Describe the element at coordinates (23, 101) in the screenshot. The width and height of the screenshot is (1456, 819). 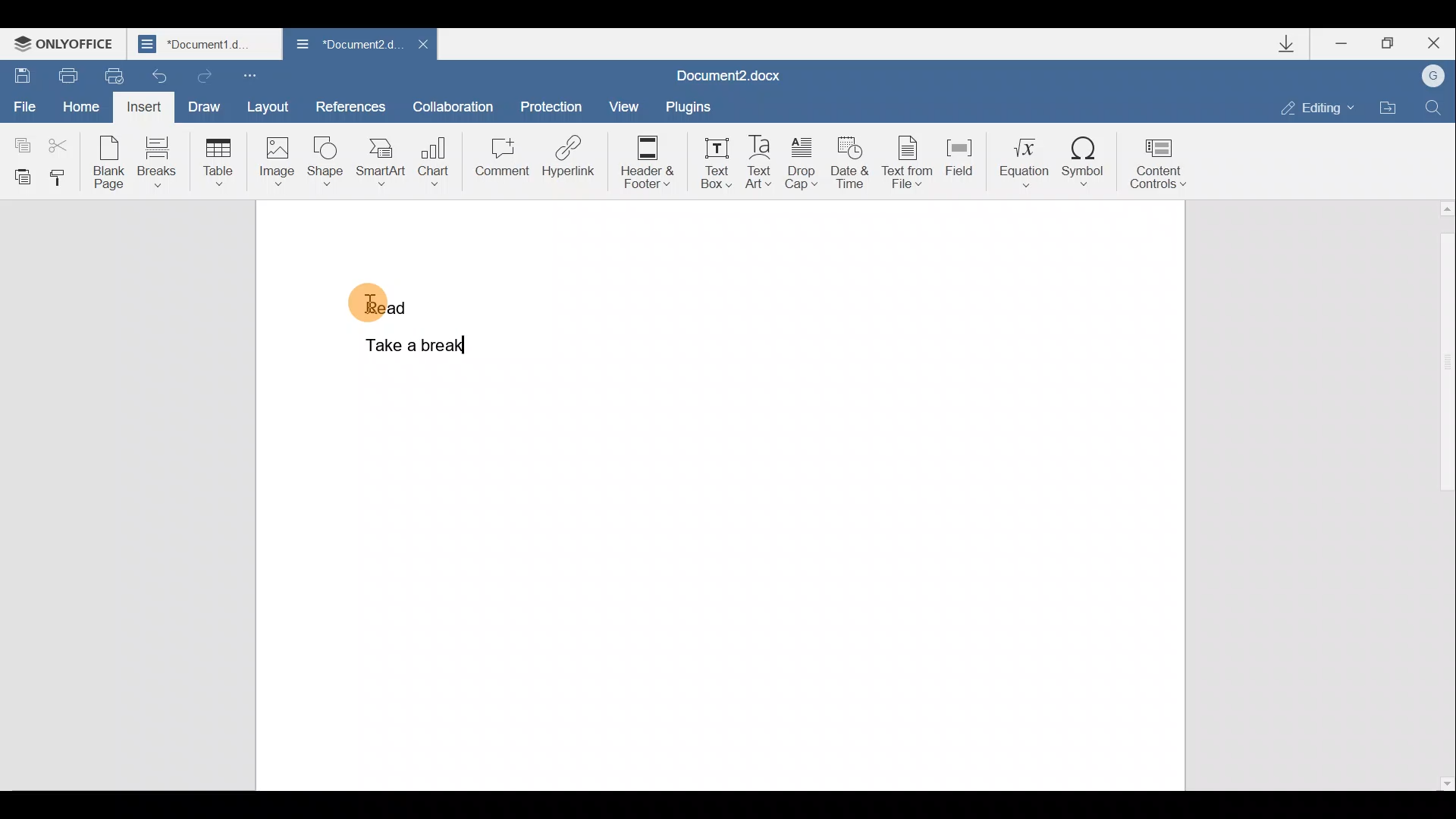
I see `File` at that location.